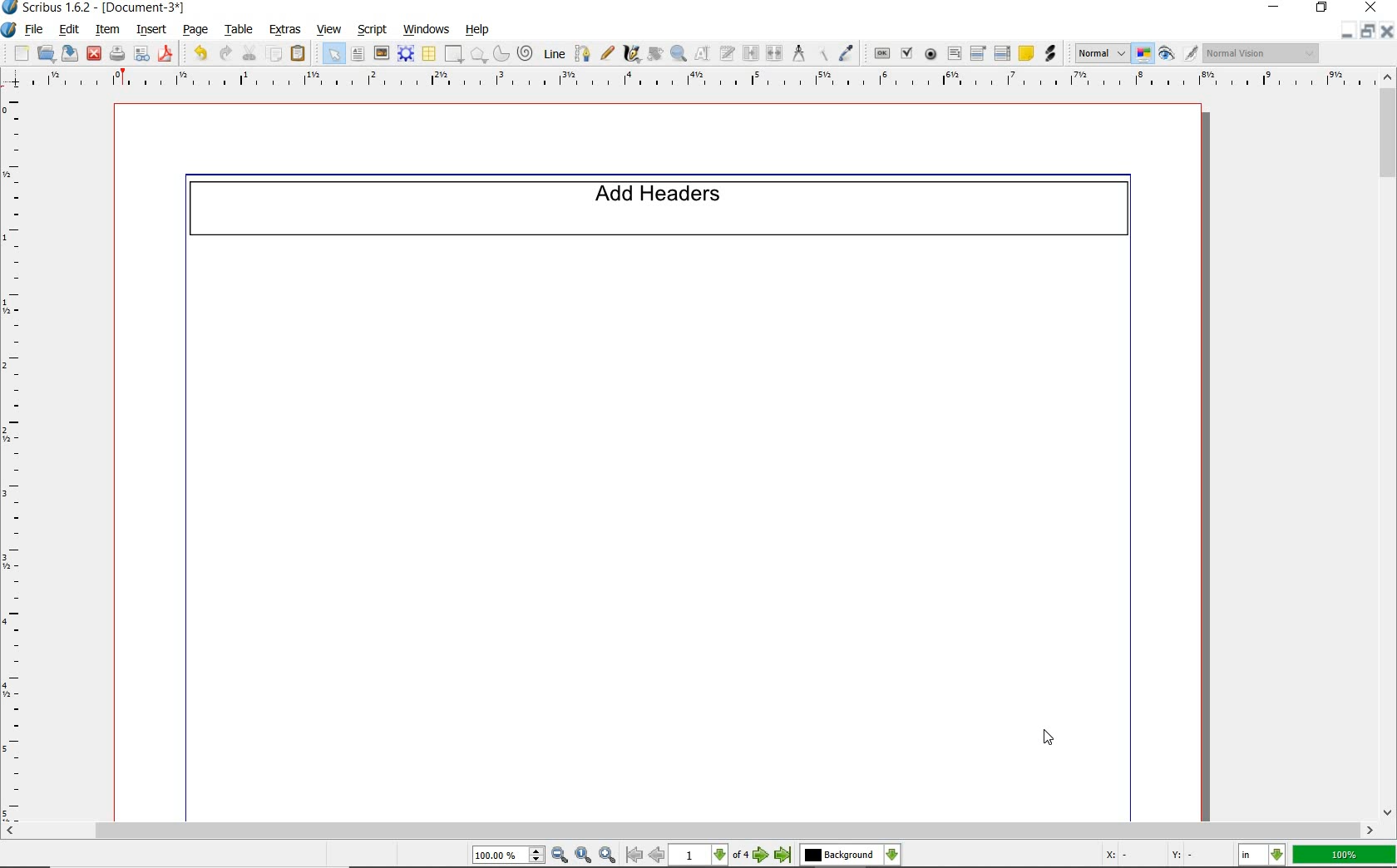  What do you see at coordinates (225, 54) in the screenshot?
I see `redo` at bounding box center [225, 54].